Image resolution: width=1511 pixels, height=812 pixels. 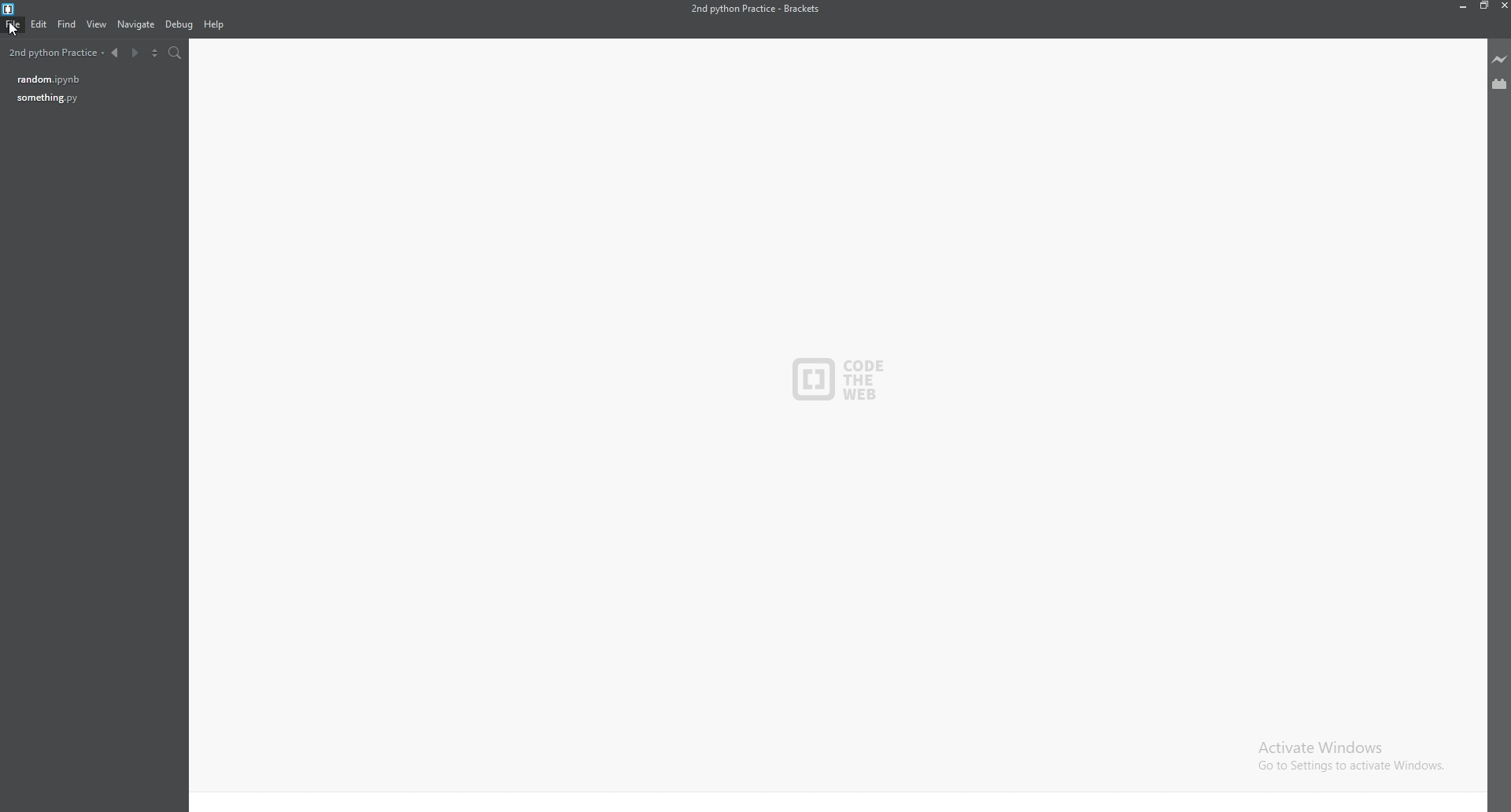 I want to click on extension viewer, so click(x=1498, y=85).